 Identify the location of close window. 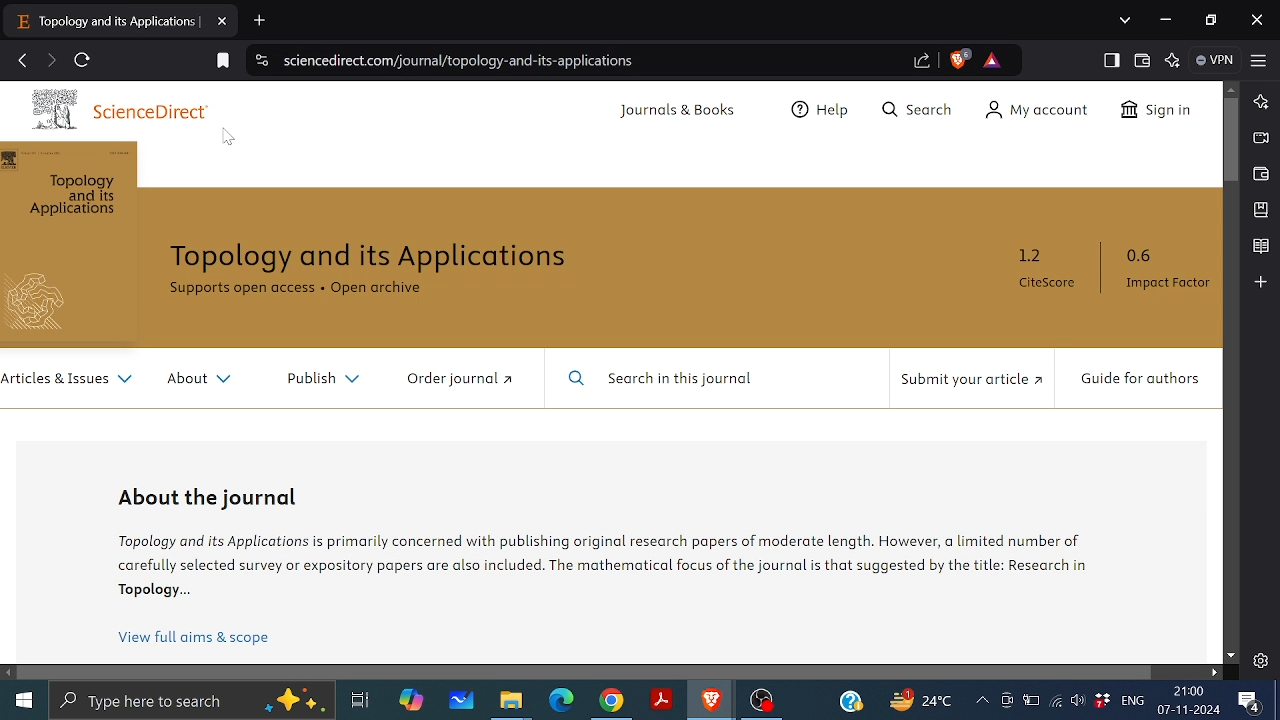
(1255, 20).